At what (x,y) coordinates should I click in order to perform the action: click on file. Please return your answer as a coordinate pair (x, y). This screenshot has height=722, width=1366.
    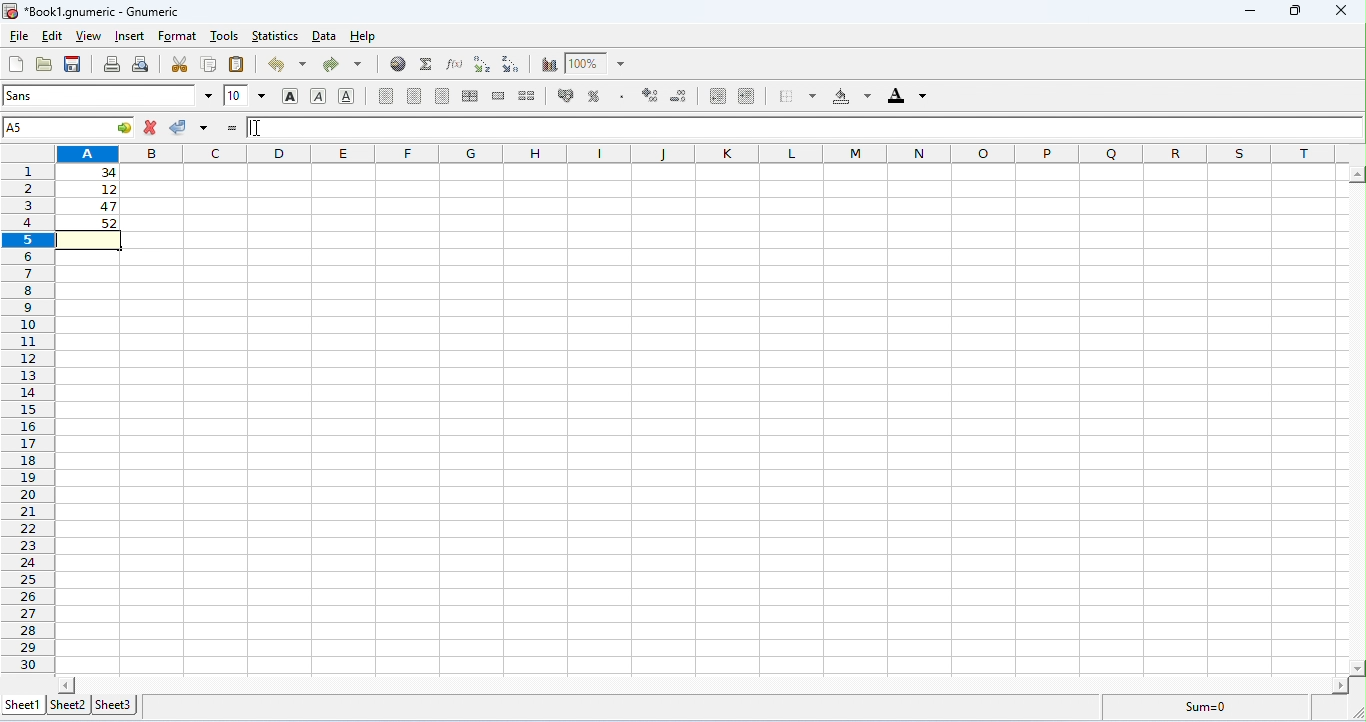
    Looking at the image, I should click on (18, 37).